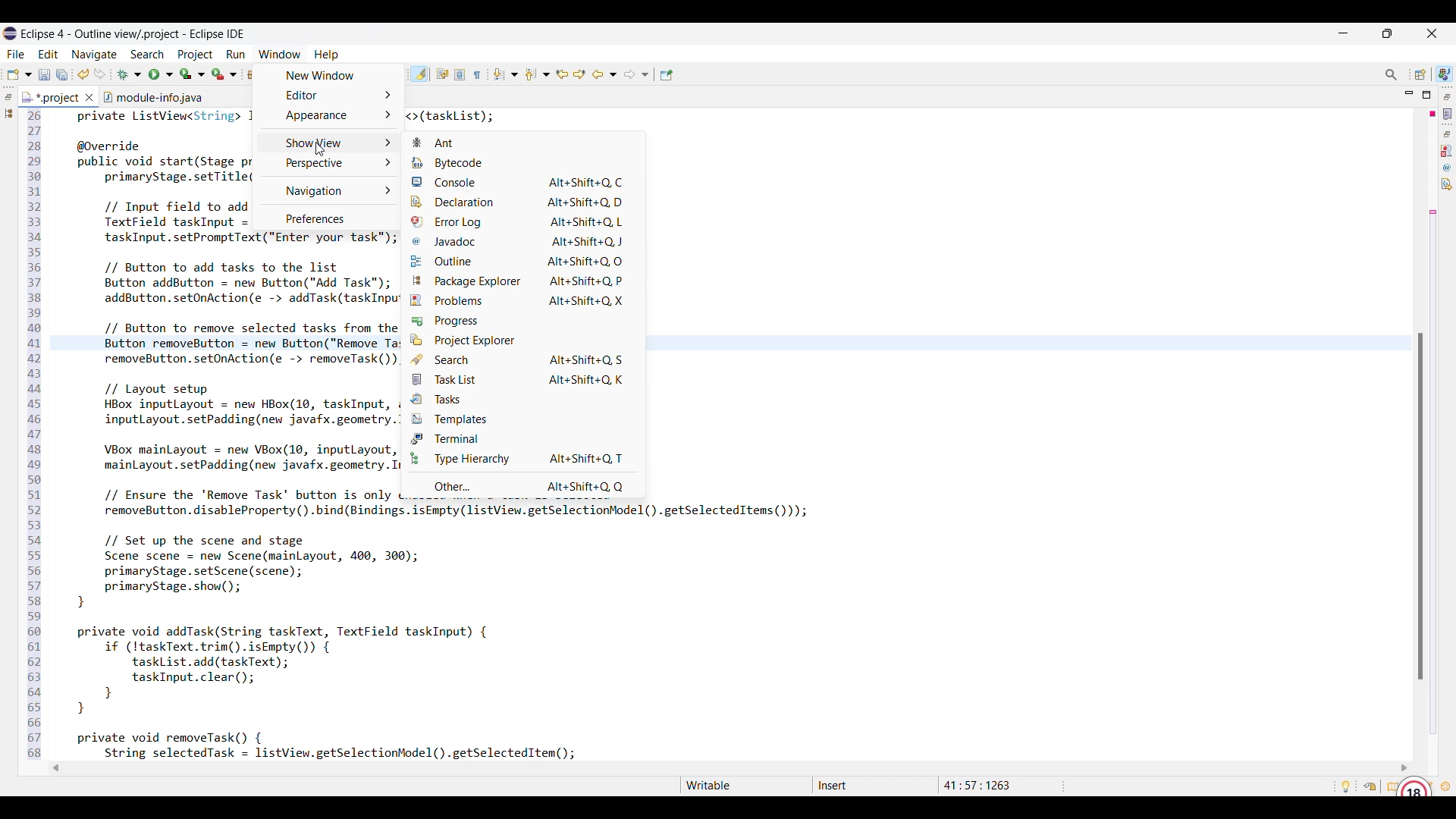  What do you see at coordinates (1410, 94) in the screenshot?
I see `Minimize` at bounding box center [1410, 94].